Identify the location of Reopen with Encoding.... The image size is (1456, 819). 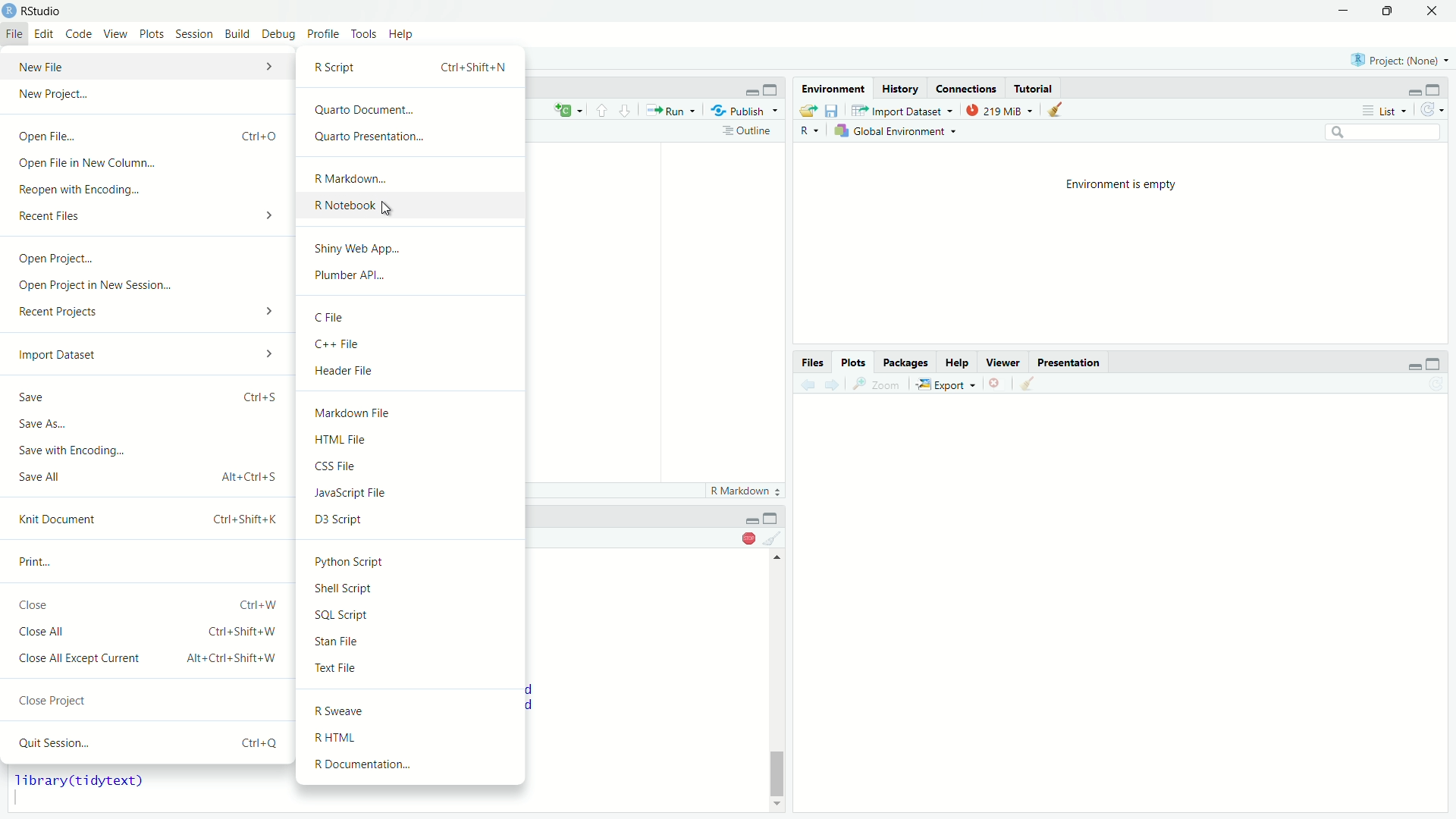
(150, 188).